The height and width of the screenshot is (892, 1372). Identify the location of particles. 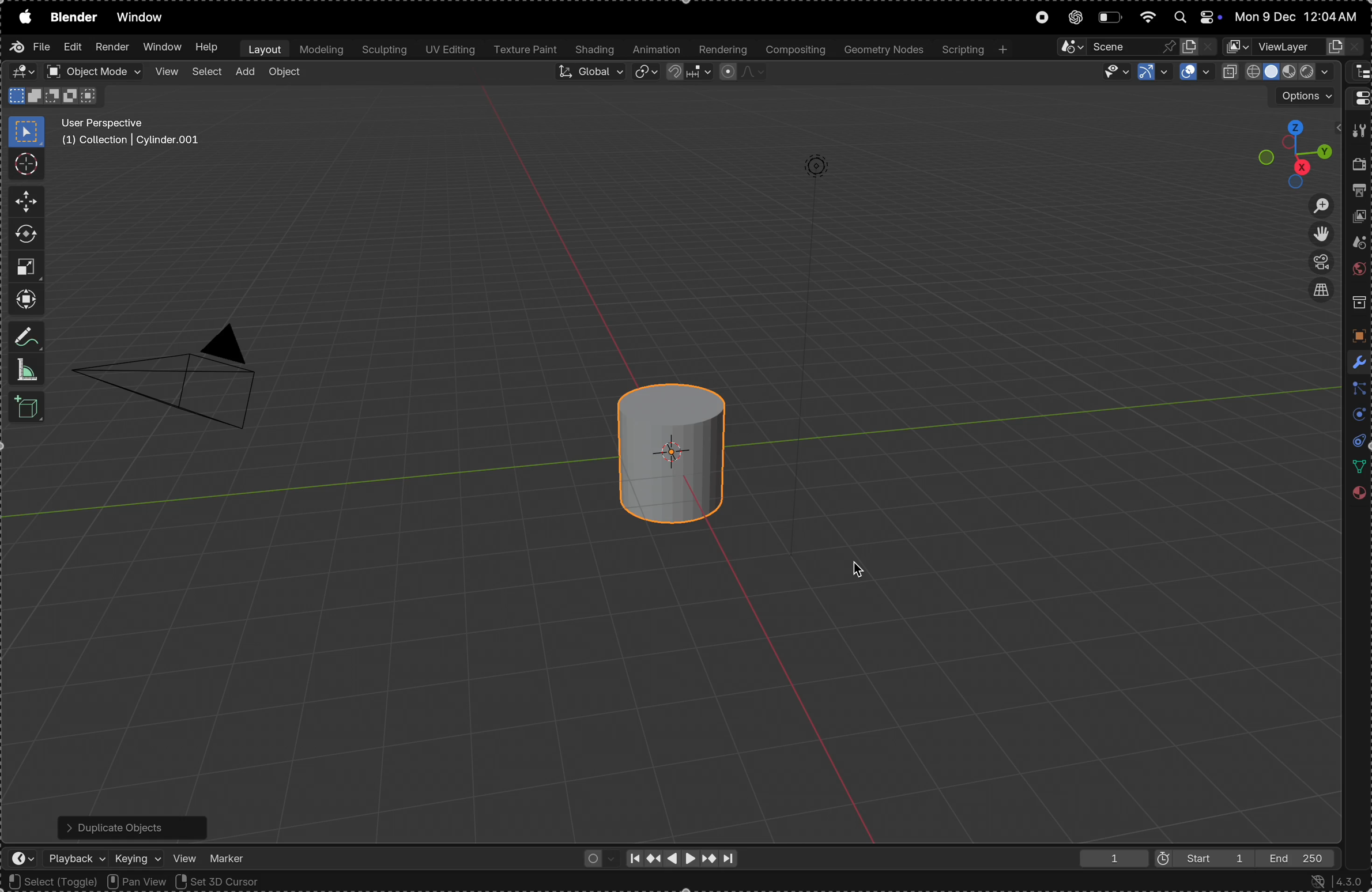
(1356, 390).